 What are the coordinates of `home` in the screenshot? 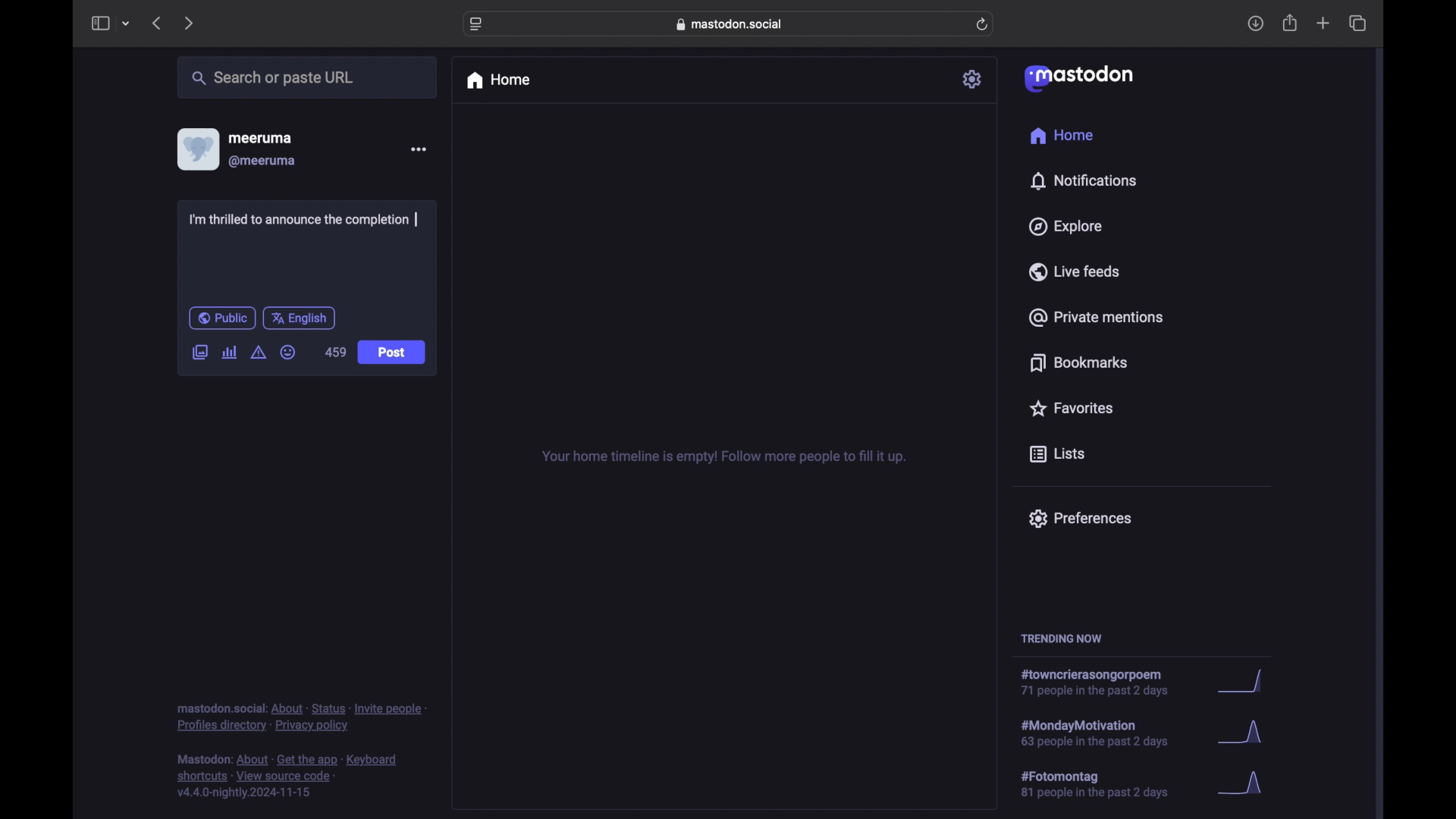 It's located at (1063, 135).